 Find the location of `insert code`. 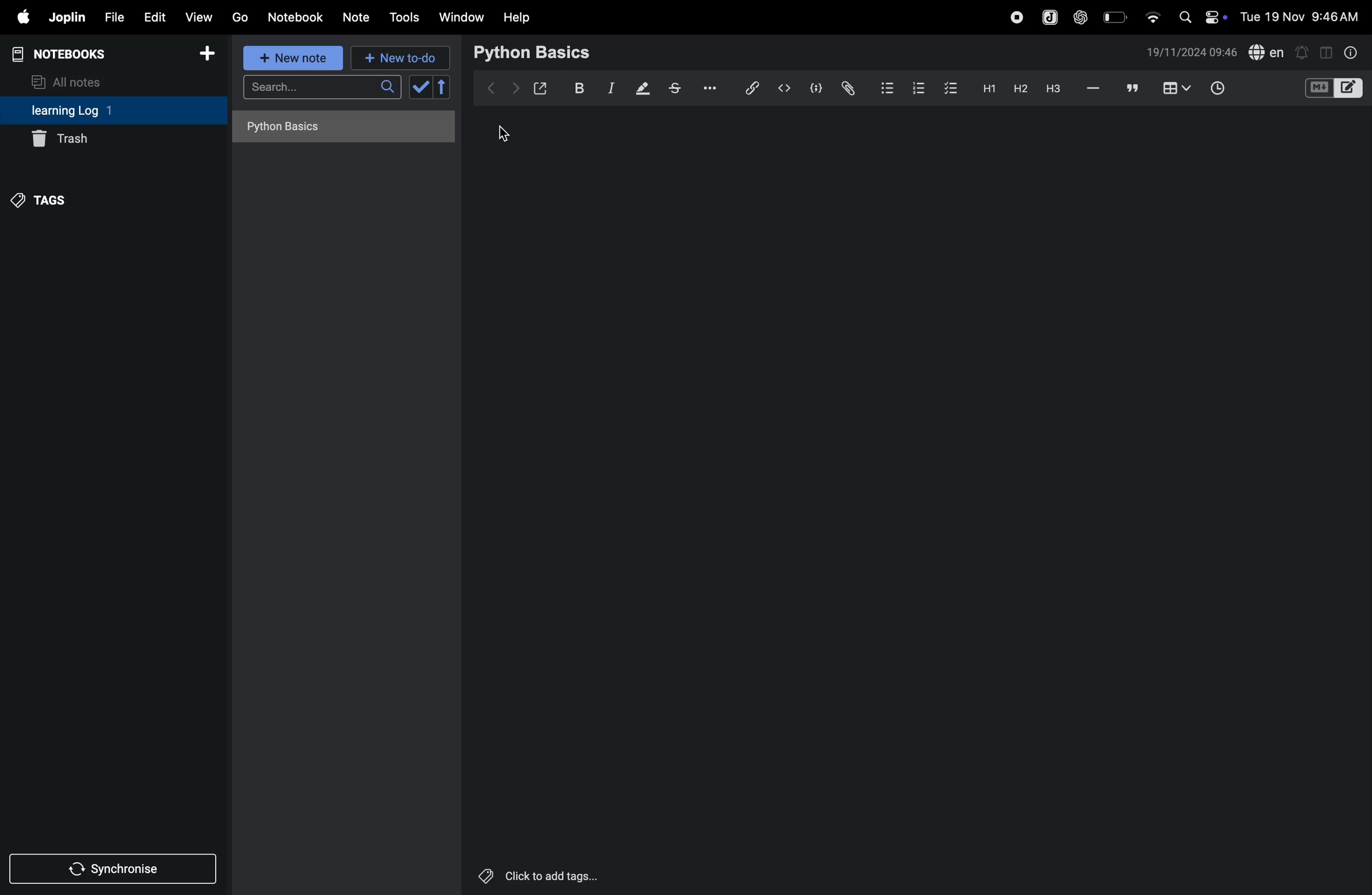

insert code is located at coordinates (785, 88).